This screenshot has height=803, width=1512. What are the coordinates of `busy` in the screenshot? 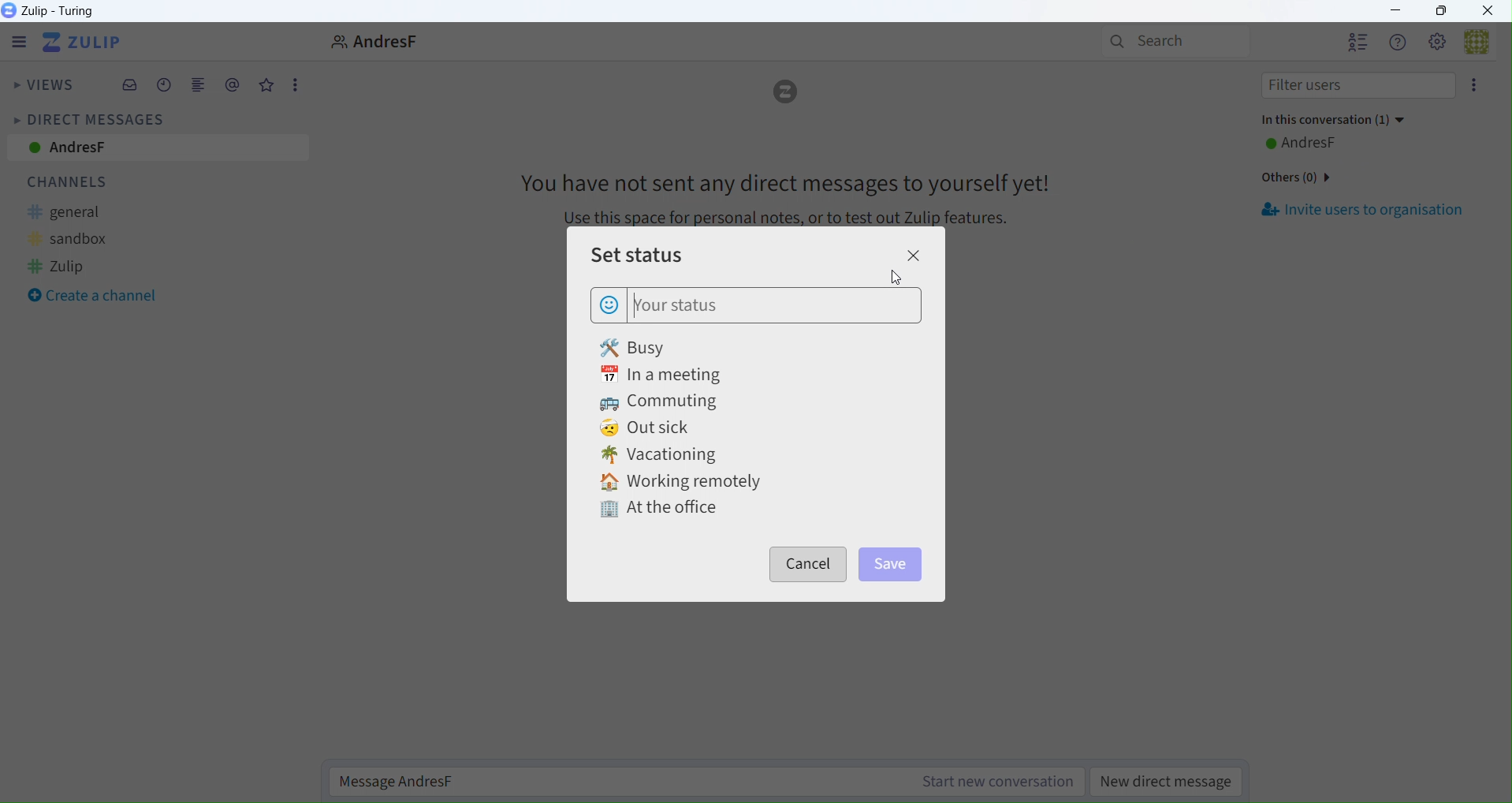 It's located at (666, 345).